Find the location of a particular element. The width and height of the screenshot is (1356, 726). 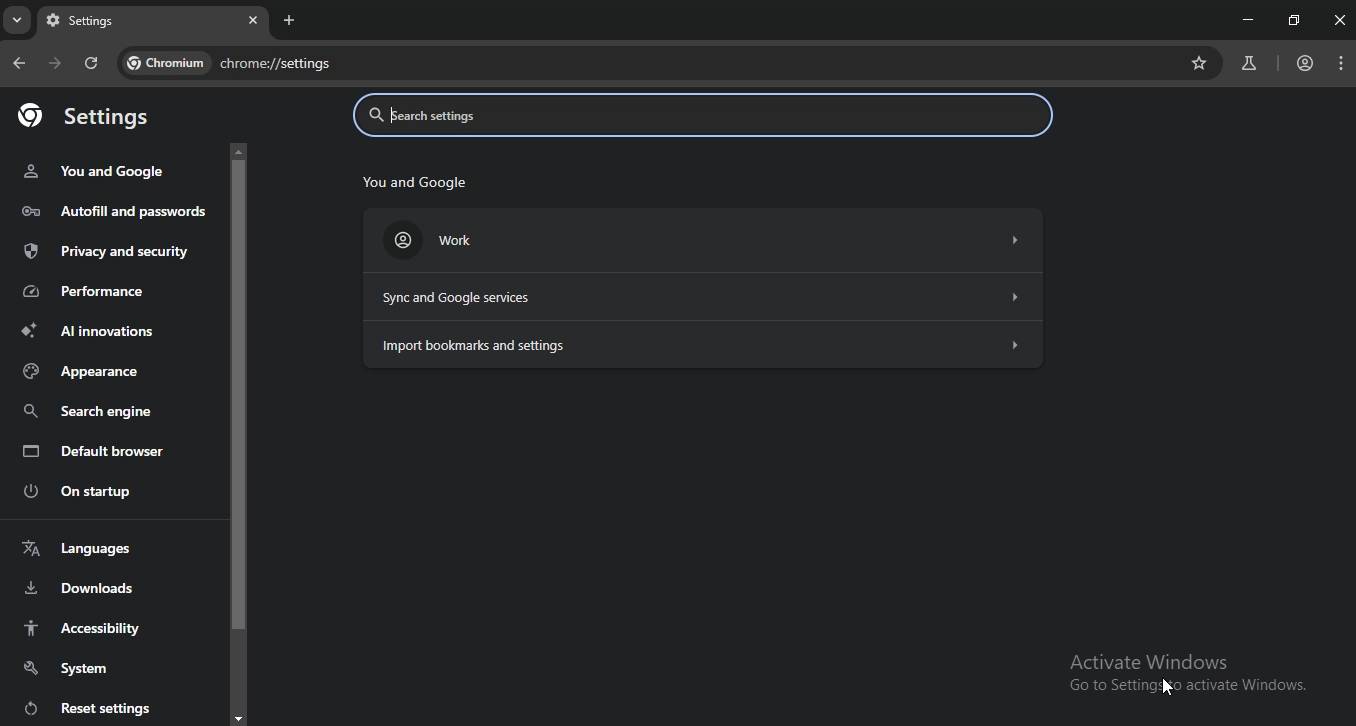

close is located at coordinates (253, 19).